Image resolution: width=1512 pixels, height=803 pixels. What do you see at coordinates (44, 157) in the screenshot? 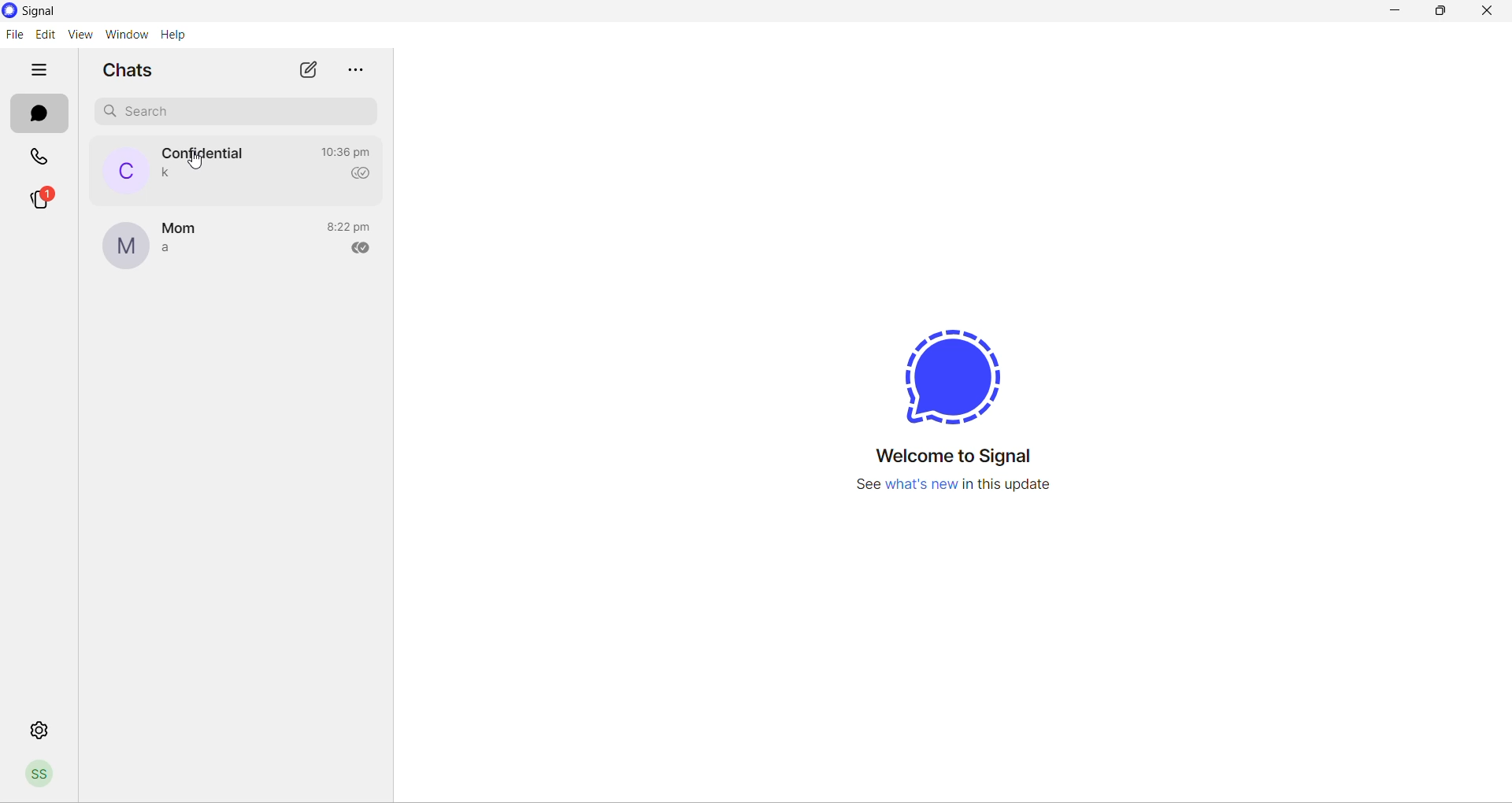
I see `calls` at bounding box center [44, 157].